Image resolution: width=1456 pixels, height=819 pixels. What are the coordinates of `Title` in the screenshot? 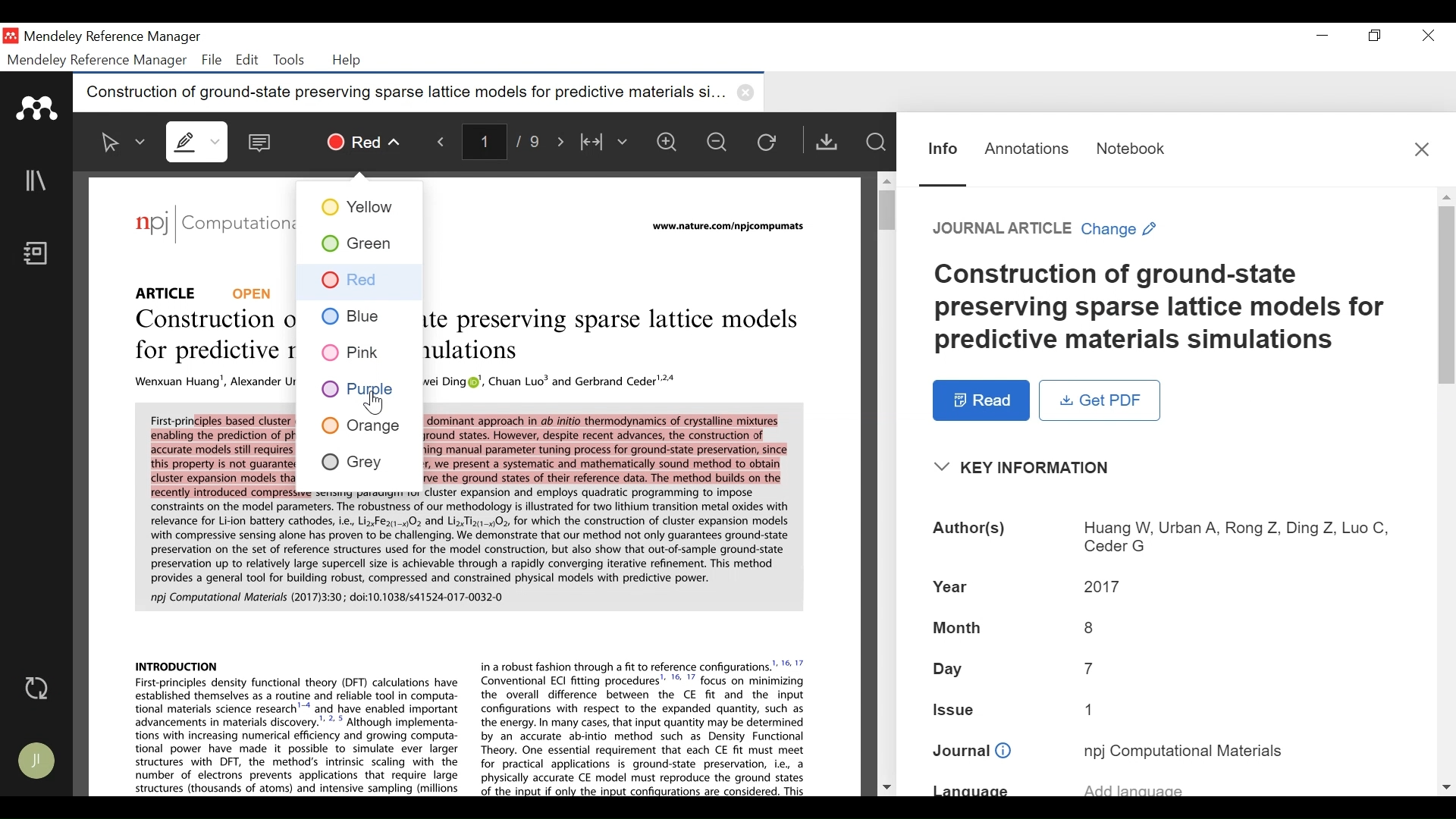 It's located at (1159, 304).